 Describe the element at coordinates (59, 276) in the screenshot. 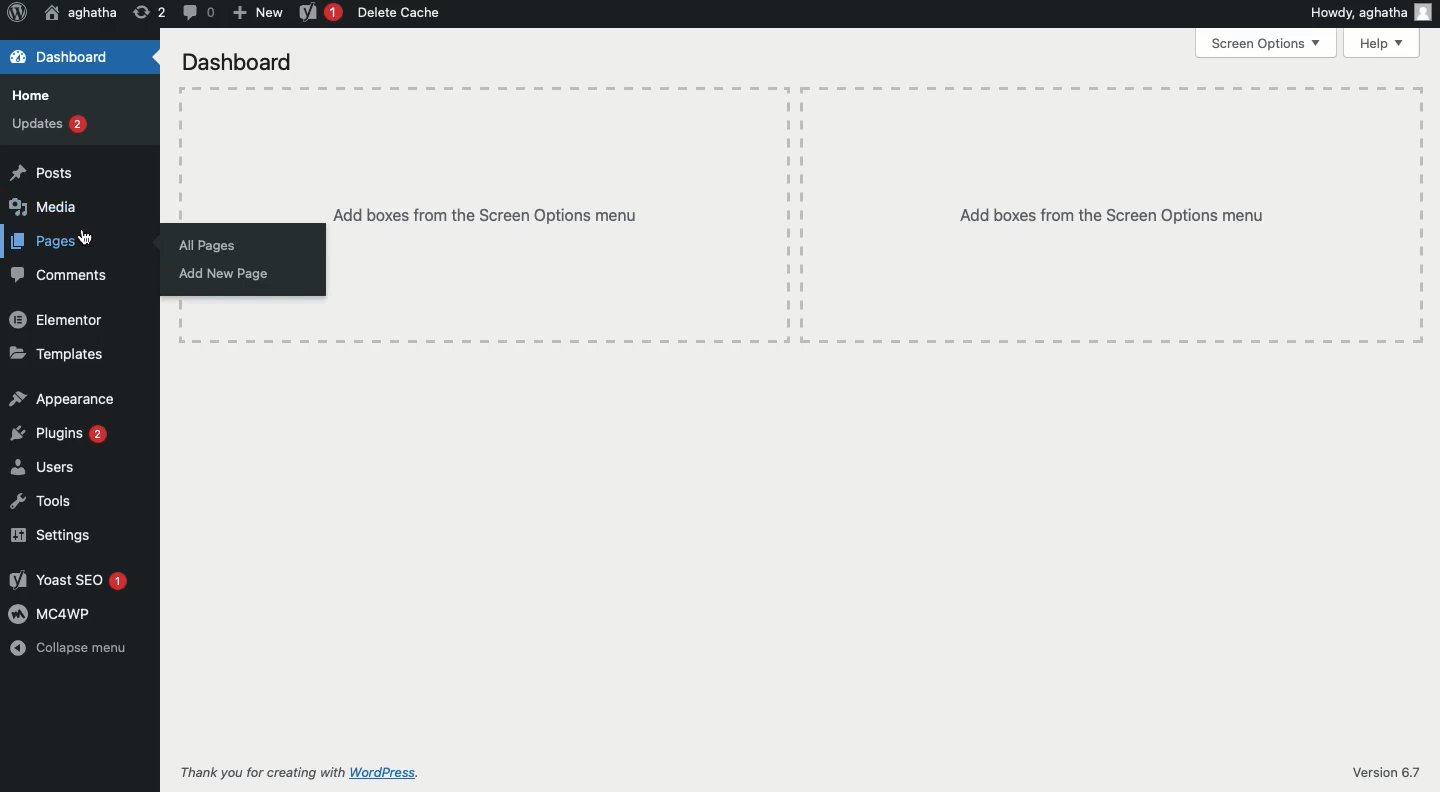

I see `Comments` at that location.